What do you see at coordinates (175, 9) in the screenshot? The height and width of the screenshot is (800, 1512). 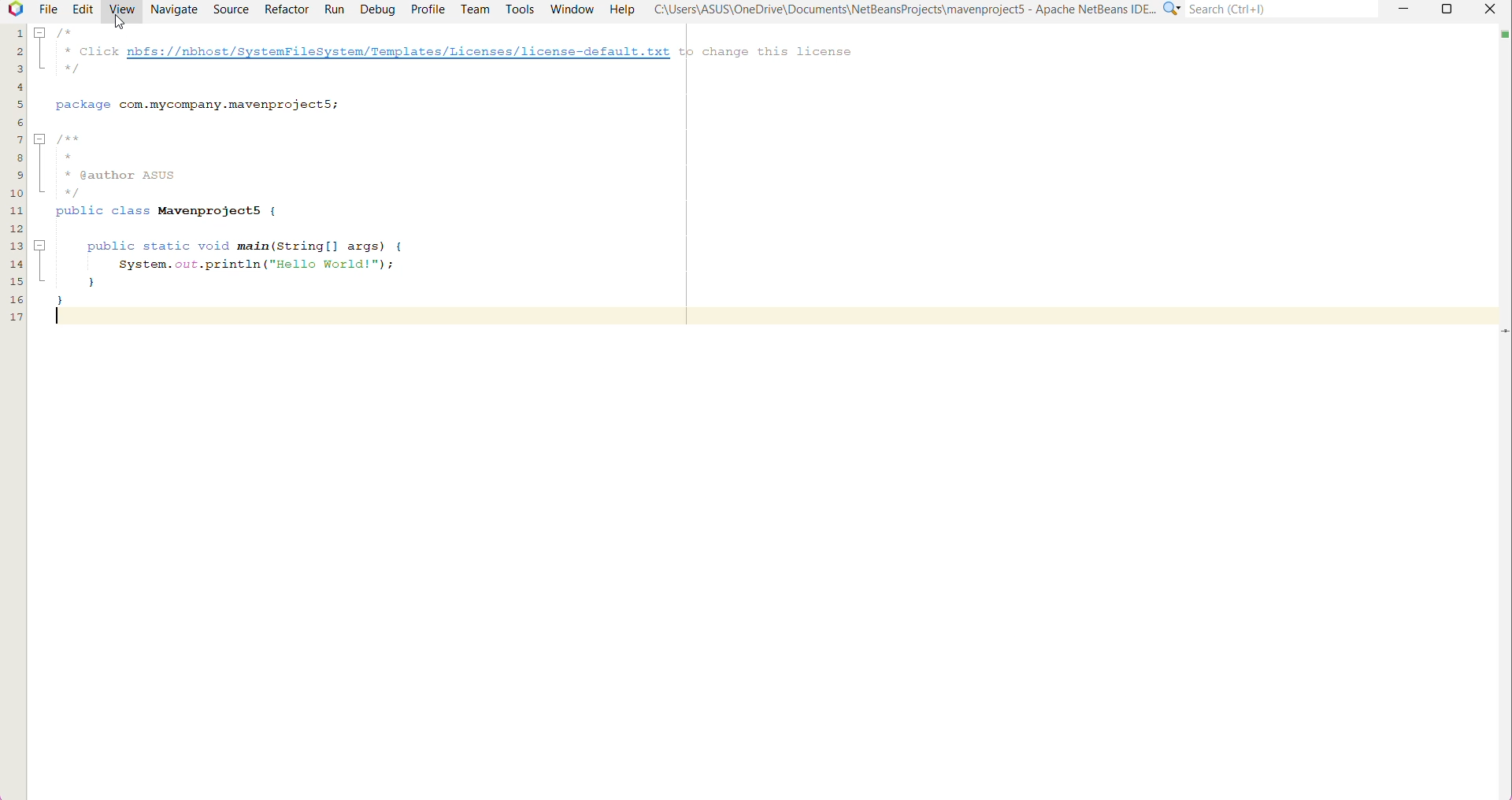 I see `Navigate` at bounding box center [175, 9].